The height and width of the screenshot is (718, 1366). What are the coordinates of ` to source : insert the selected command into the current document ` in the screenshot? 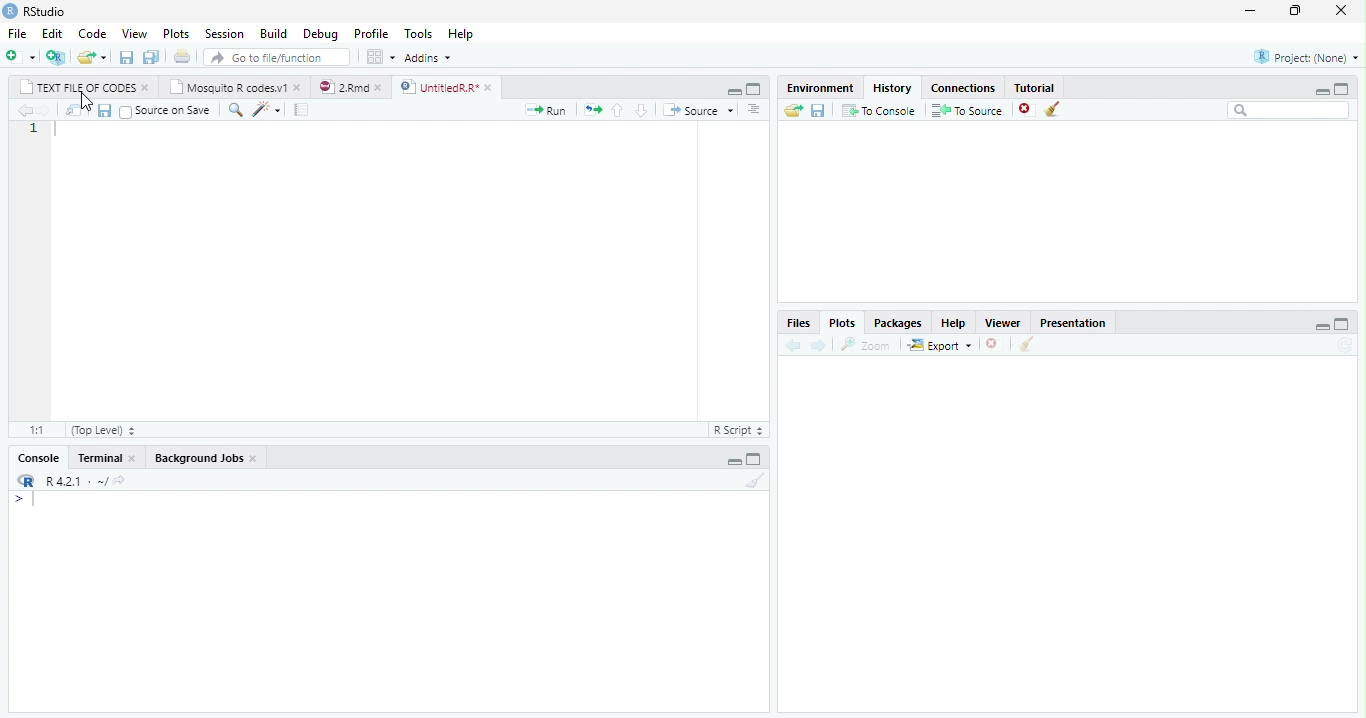 It's located at (964, 110).